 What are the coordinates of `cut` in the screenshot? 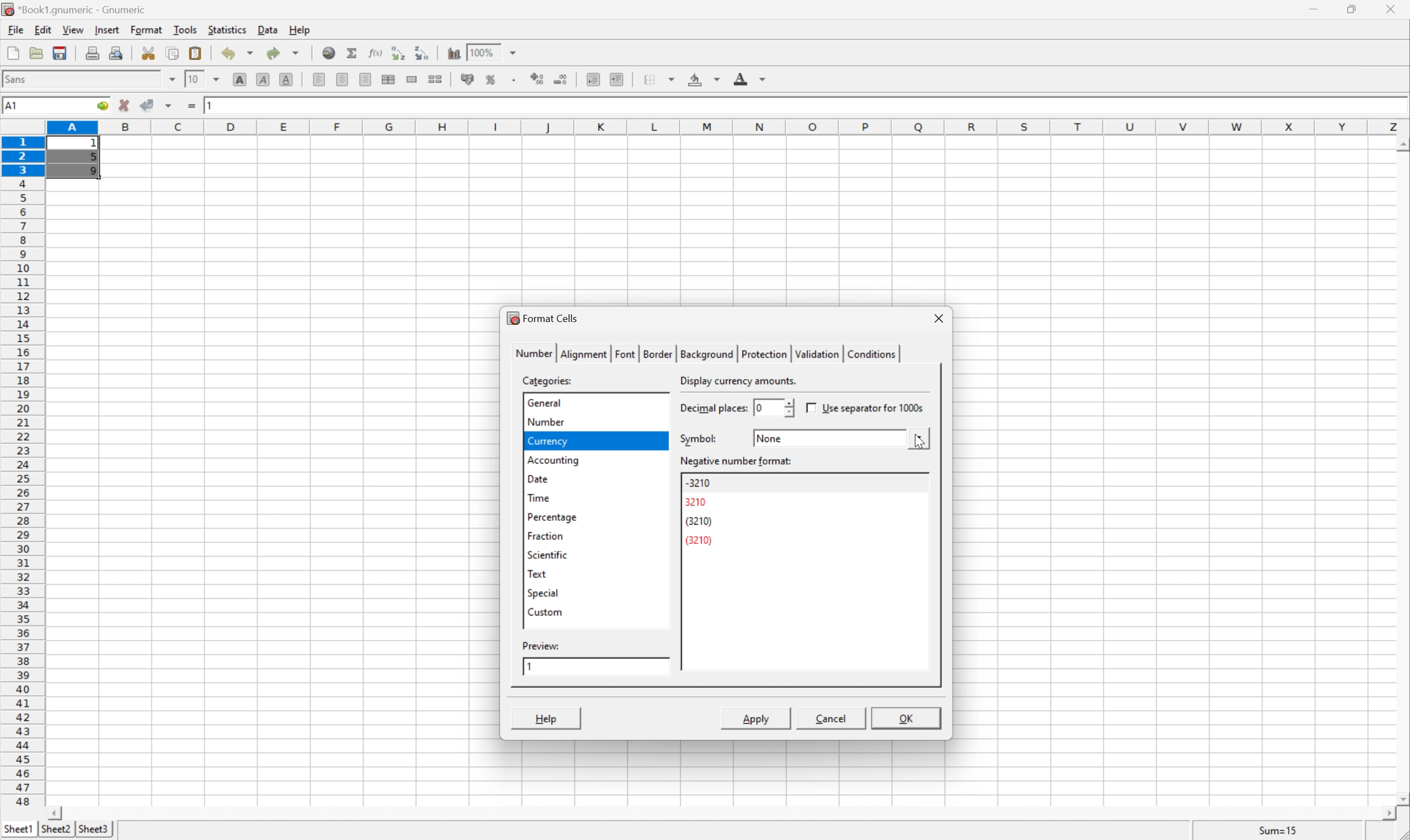 It's located at (148, 52).